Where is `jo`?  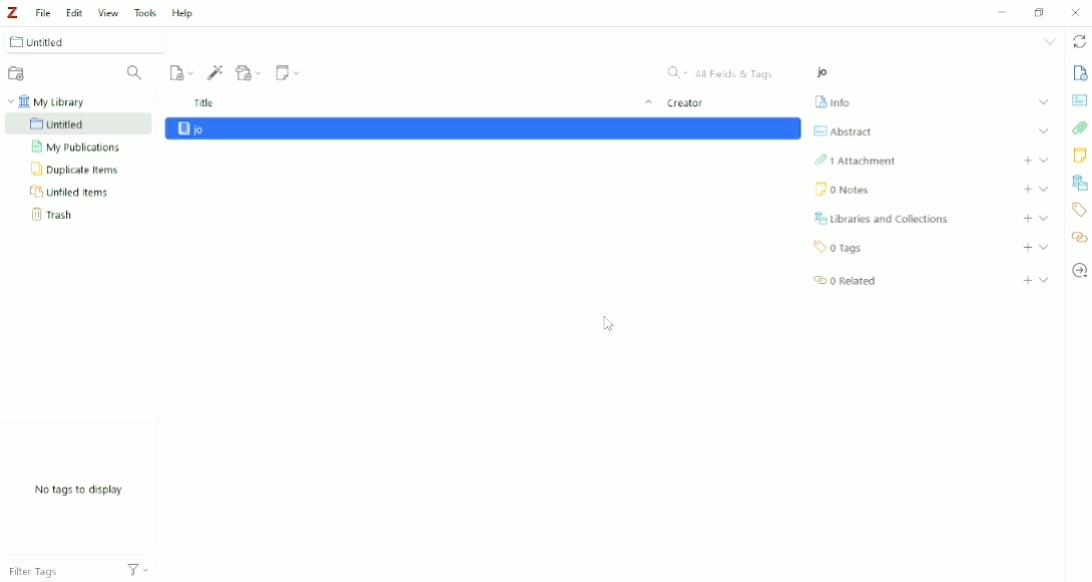
jo is located at coordinates (826, 73).